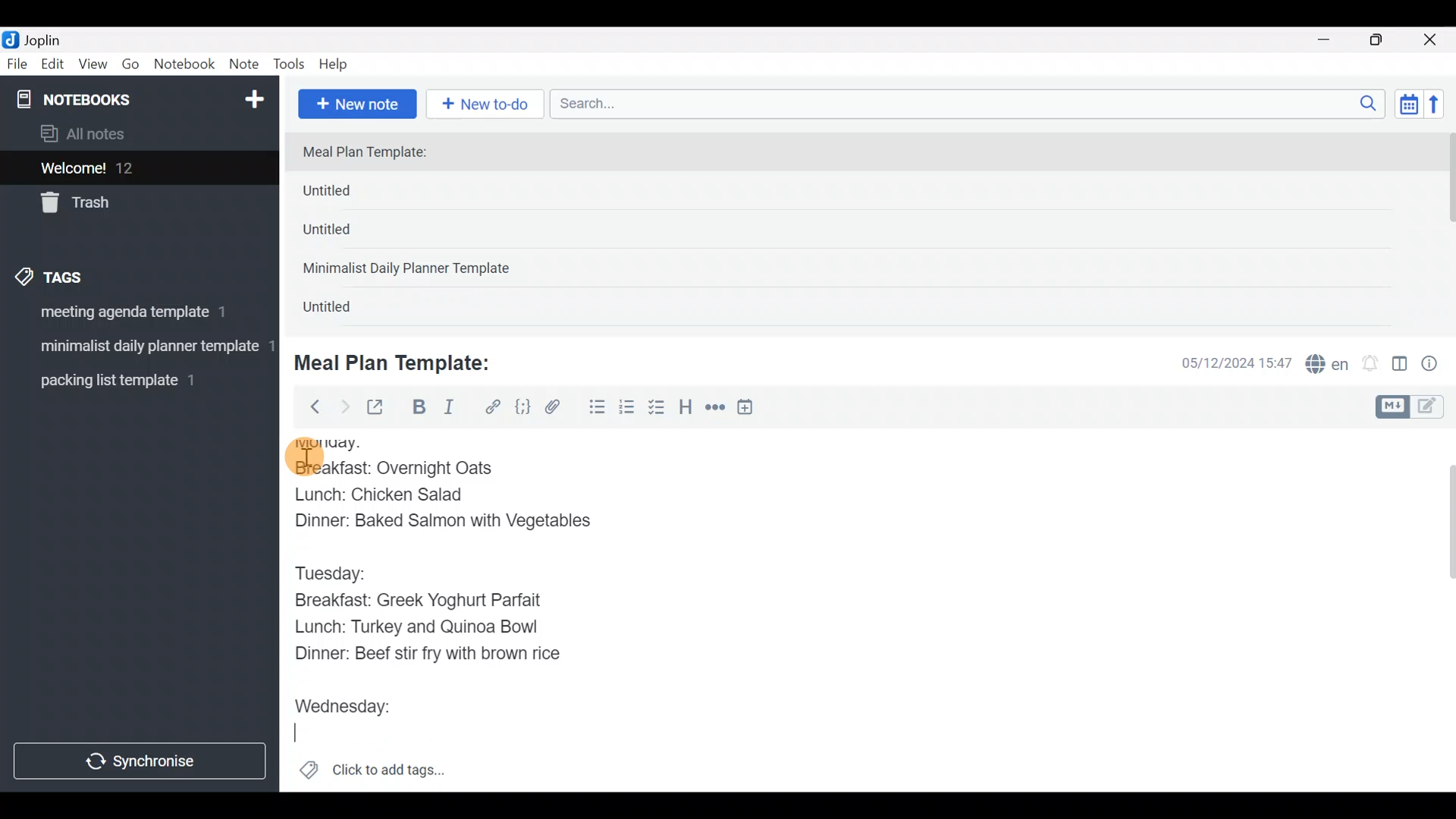 This screenshot has width=1456, height=819. Describe the element at coordinates (135, 316) in the screenshot. I see `Tag 1` at that location.